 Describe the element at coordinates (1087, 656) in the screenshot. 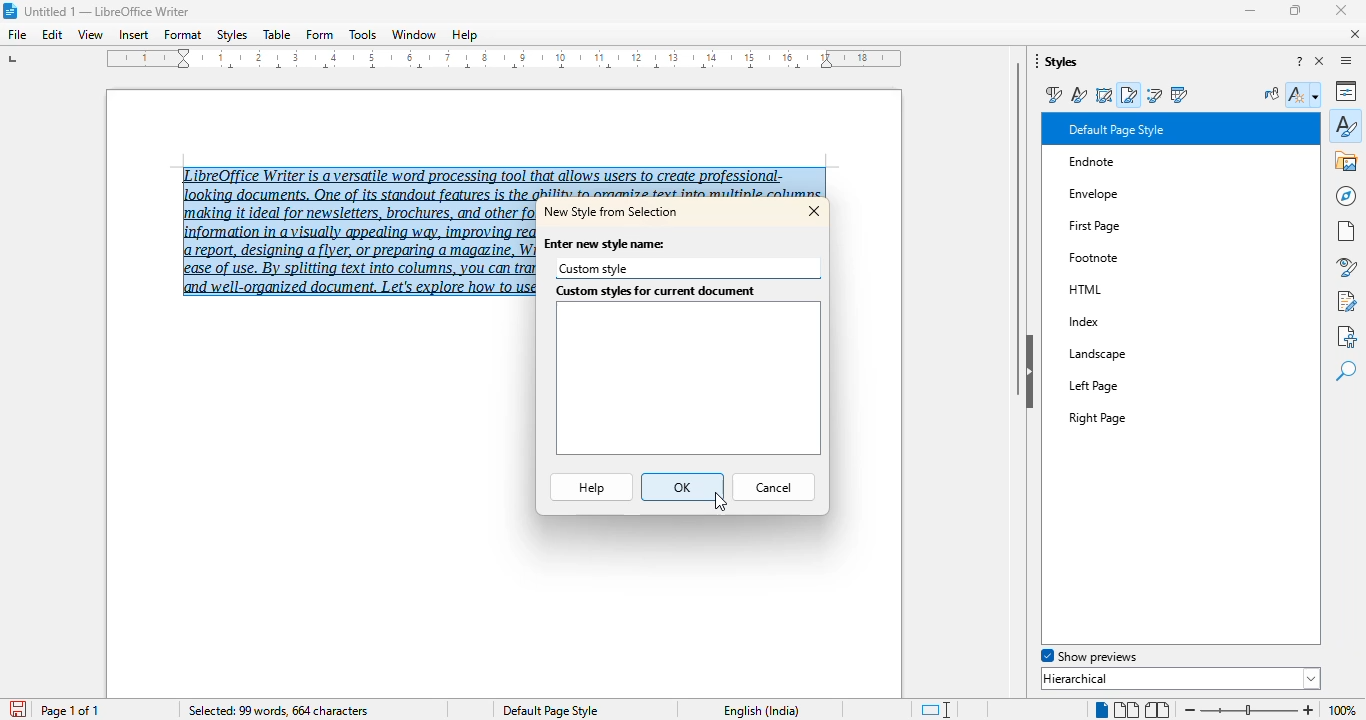

I see `show previews` at that location.